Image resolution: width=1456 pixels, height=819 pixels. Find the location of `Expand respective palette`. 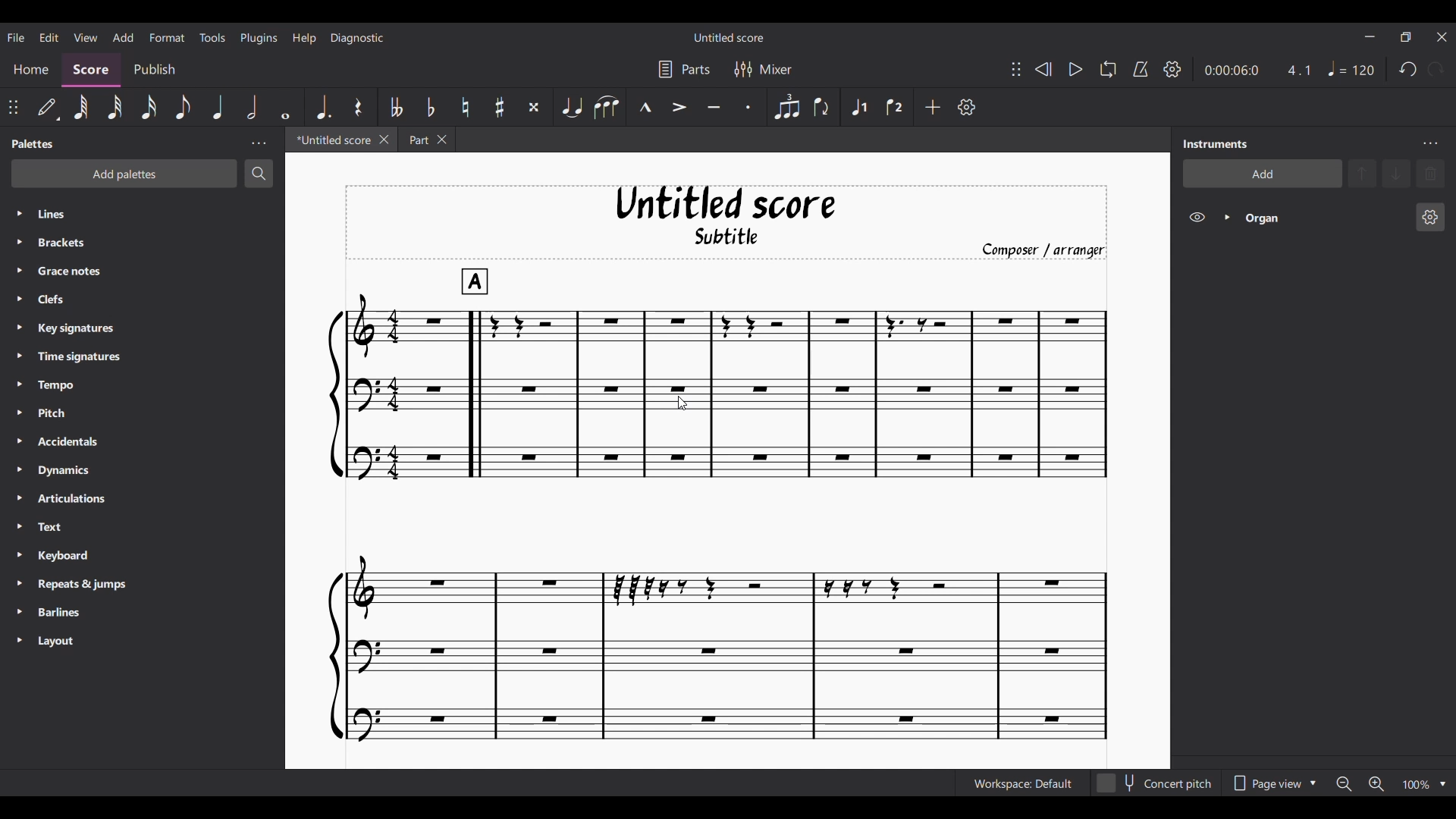

Expand respective palette is located at coordinates (19, 427).